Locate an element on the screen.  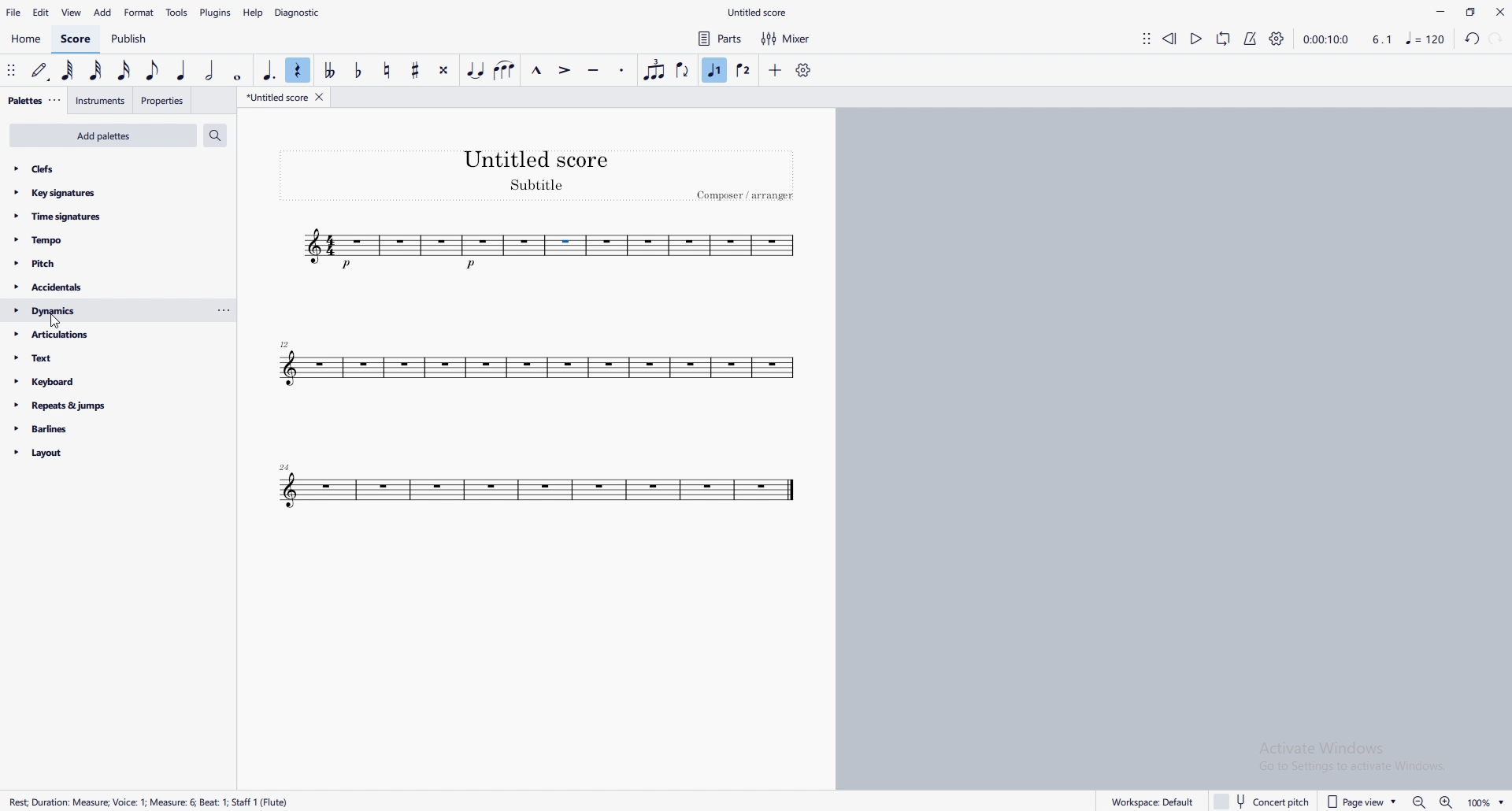
adjust is located at coordinates (1147, 38).